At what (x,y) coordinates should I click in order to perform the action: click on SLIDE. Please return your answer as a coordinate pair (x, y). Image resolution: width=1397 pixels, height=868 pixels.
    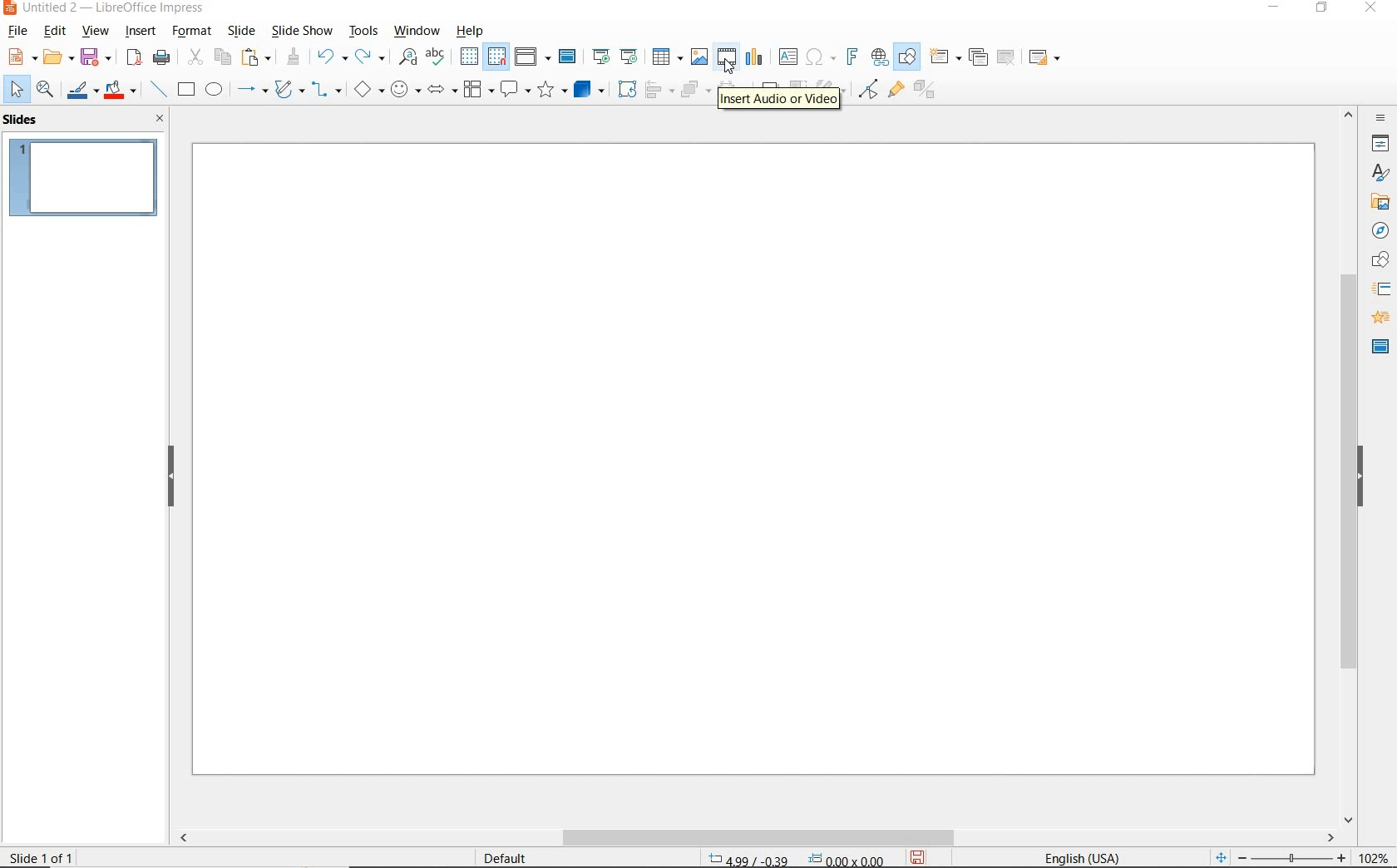
    Looking at the image, I should click on (242, 31).